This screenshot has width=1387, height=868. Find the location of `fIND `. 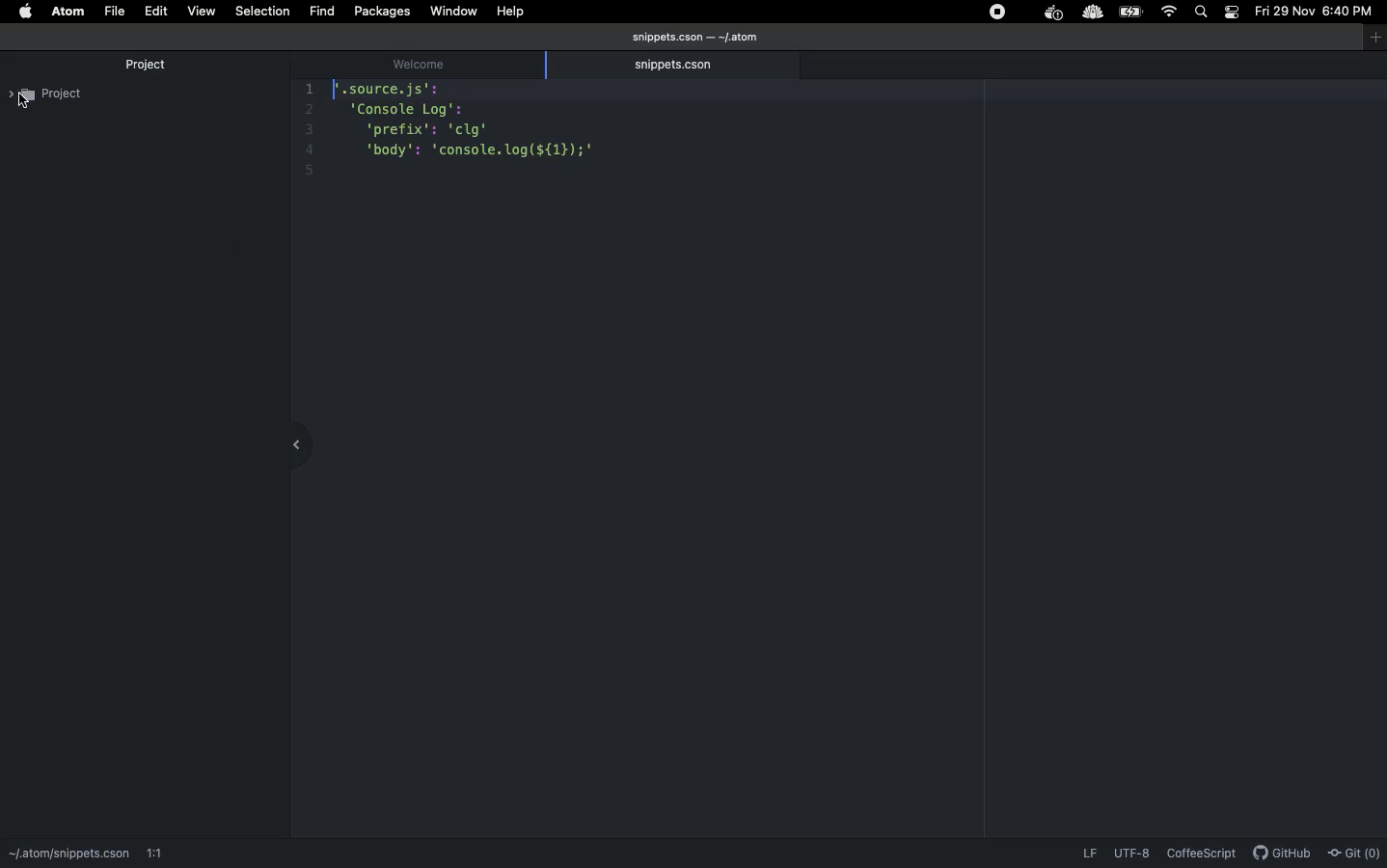

fIND  is located at coordinates (321, 11).